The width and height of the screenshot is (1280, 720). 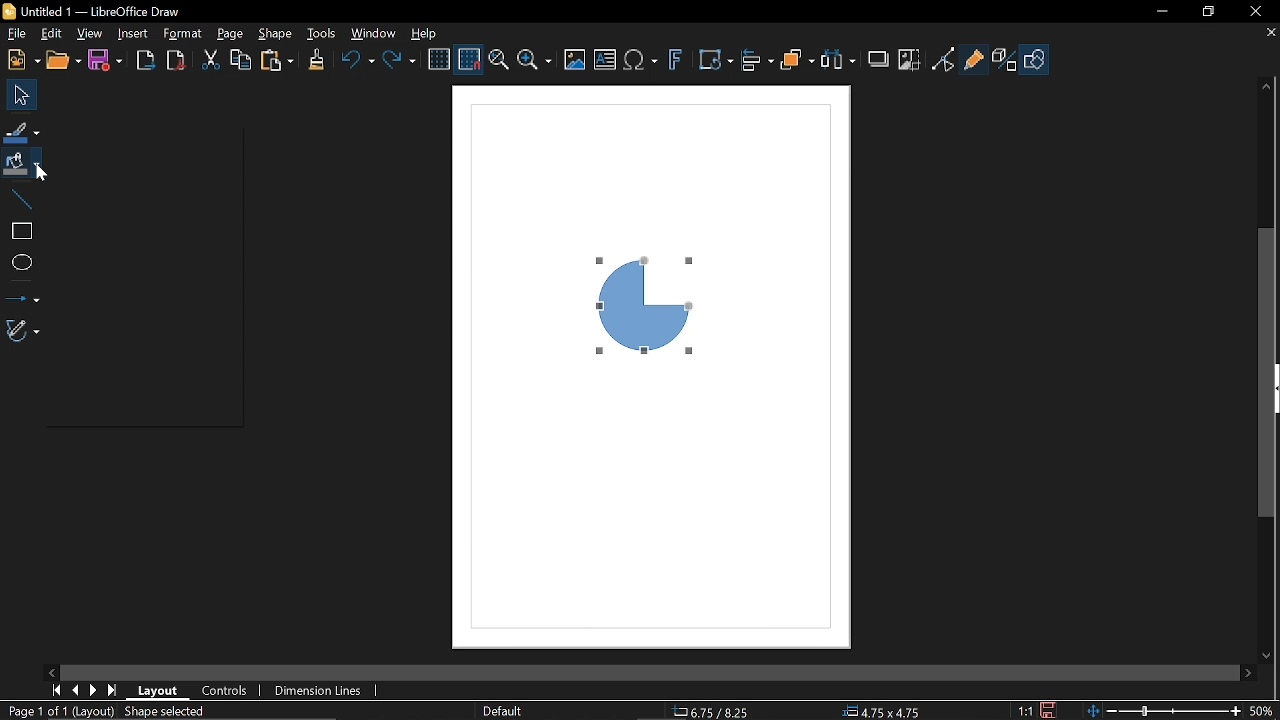 What do you see at coordinates (374, 34) in the screenshot?
I see `Window` at bounding box center [374, 34].